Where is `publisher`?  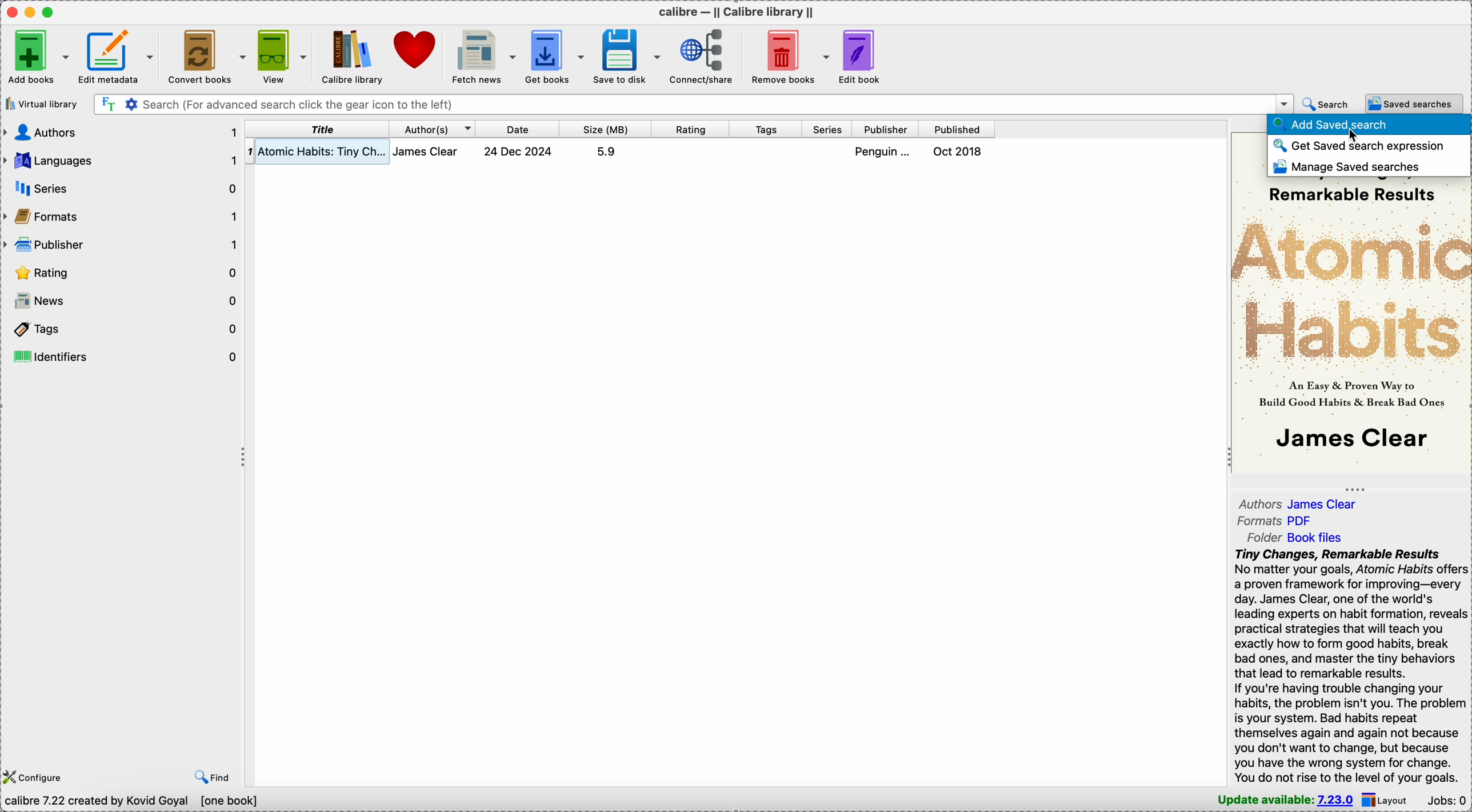
publisher is located at coordinates (122, 246).